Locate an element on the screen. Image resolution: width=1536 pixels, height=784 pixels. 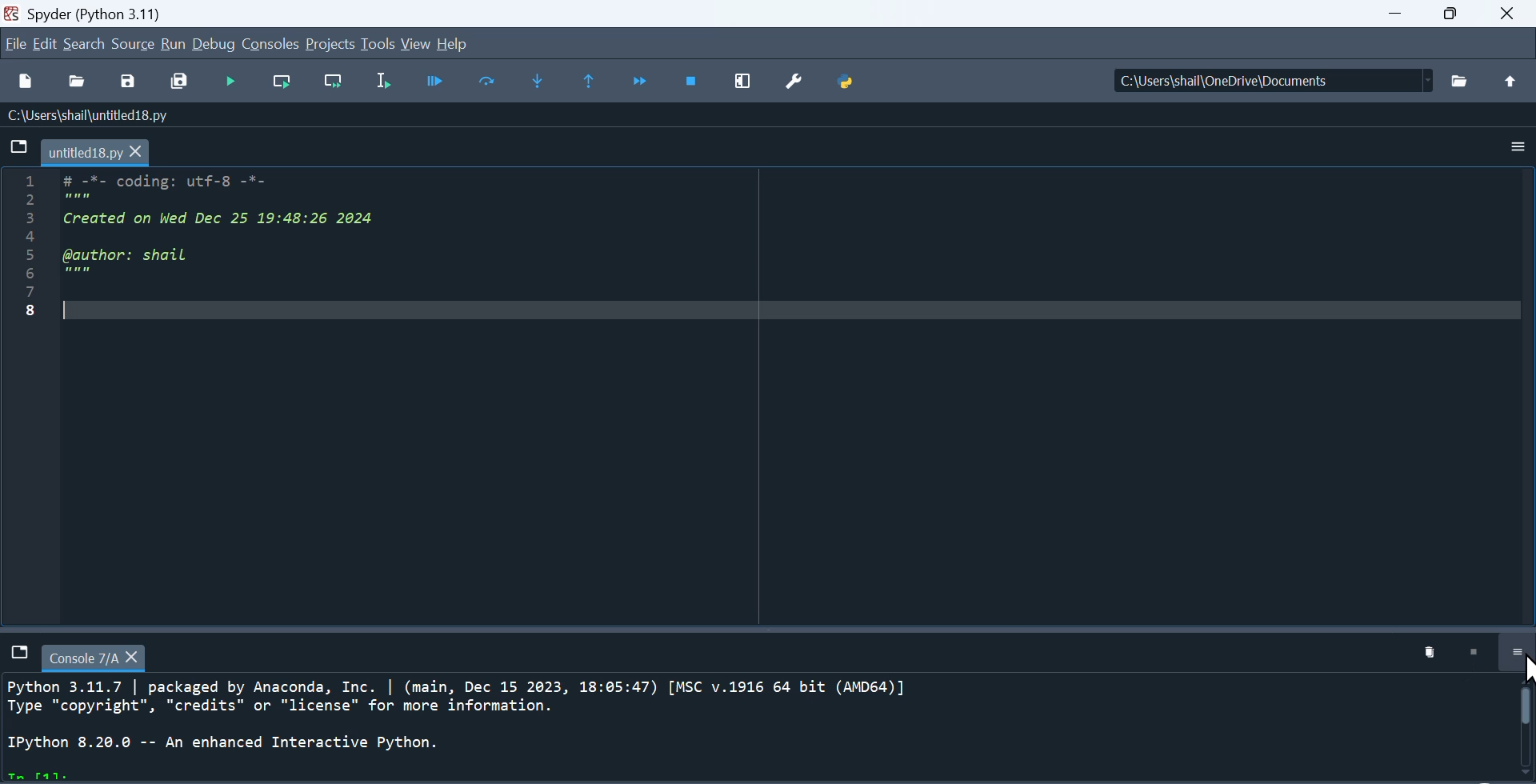
file is located at coordinates (14, 46).